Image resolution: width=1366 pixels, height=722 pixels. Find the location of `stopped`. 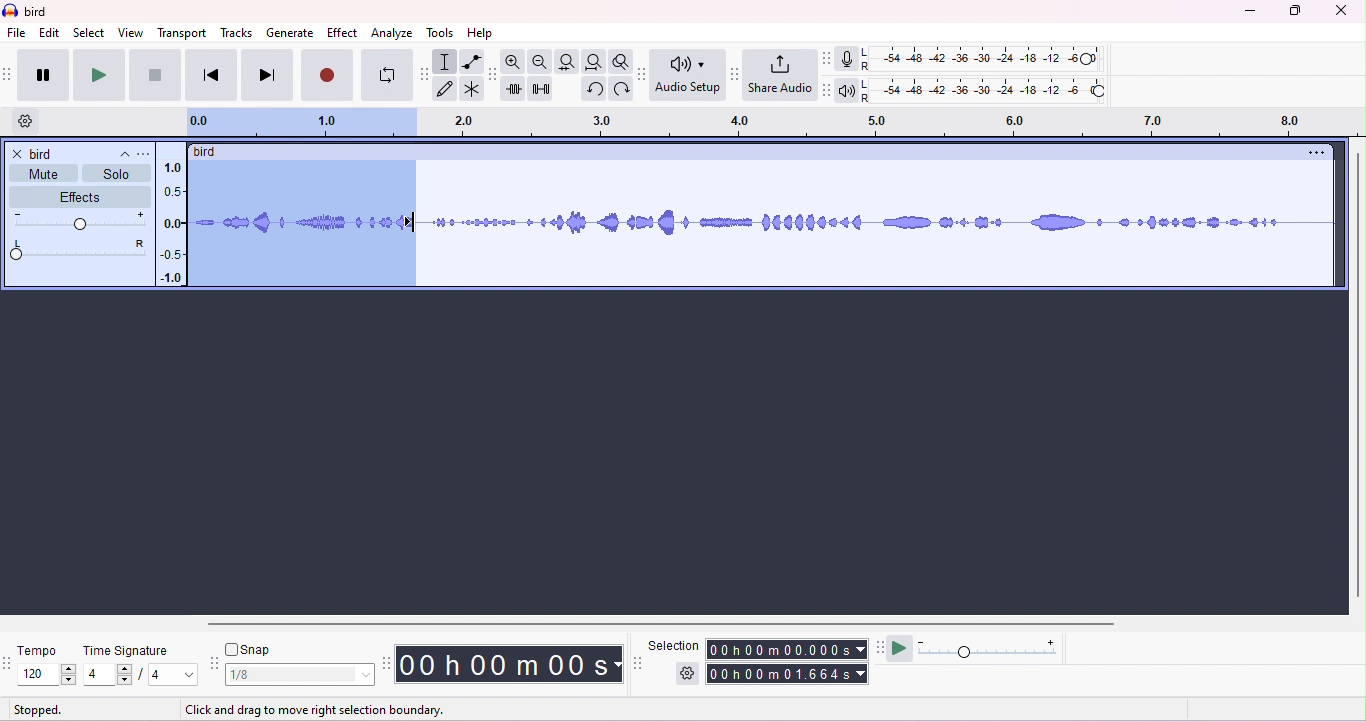

stopped is located at coordinates (38, 711).